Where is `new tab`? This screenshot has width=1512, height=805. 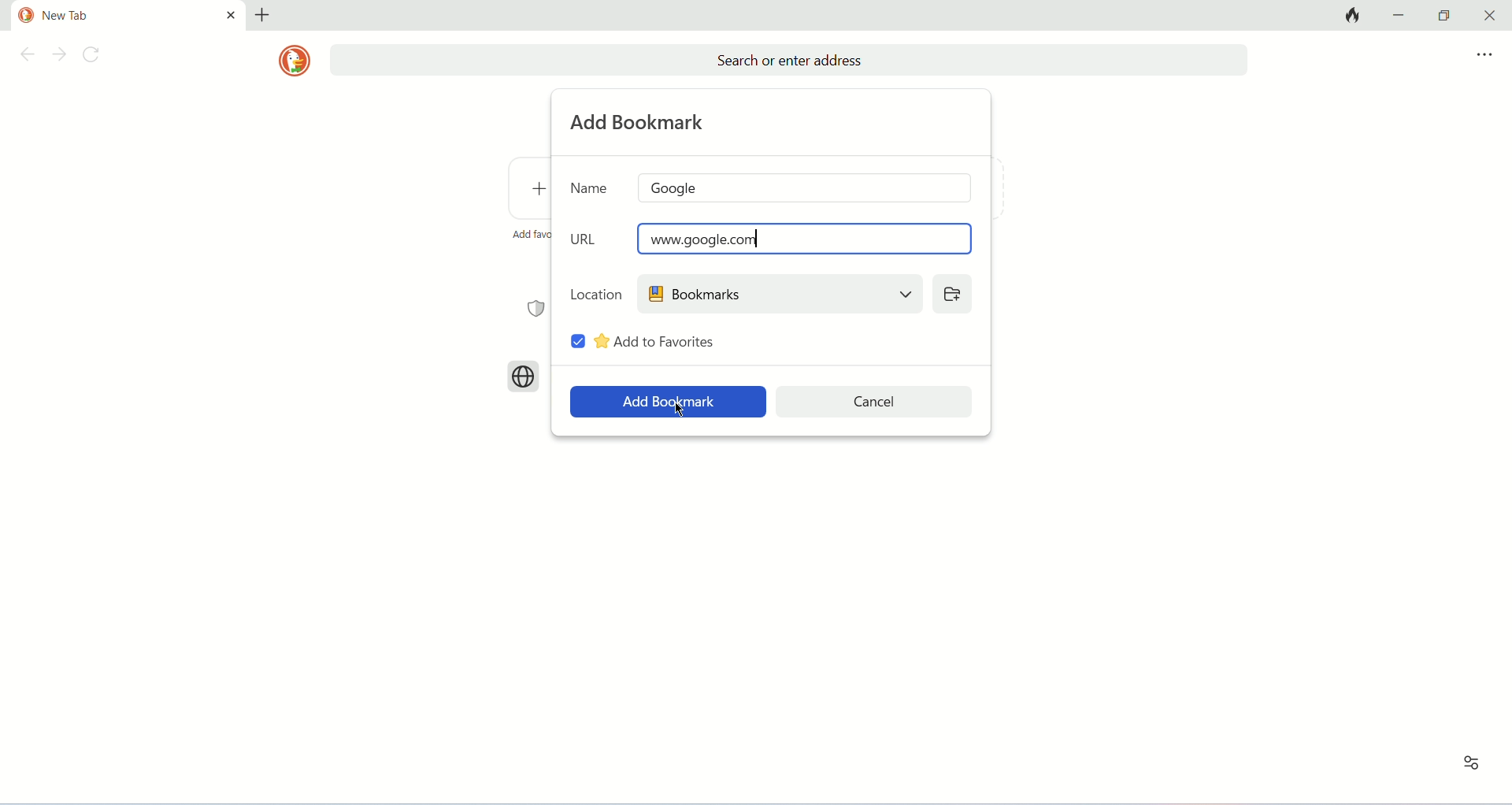 new tab is located at coordinates (262, 15).